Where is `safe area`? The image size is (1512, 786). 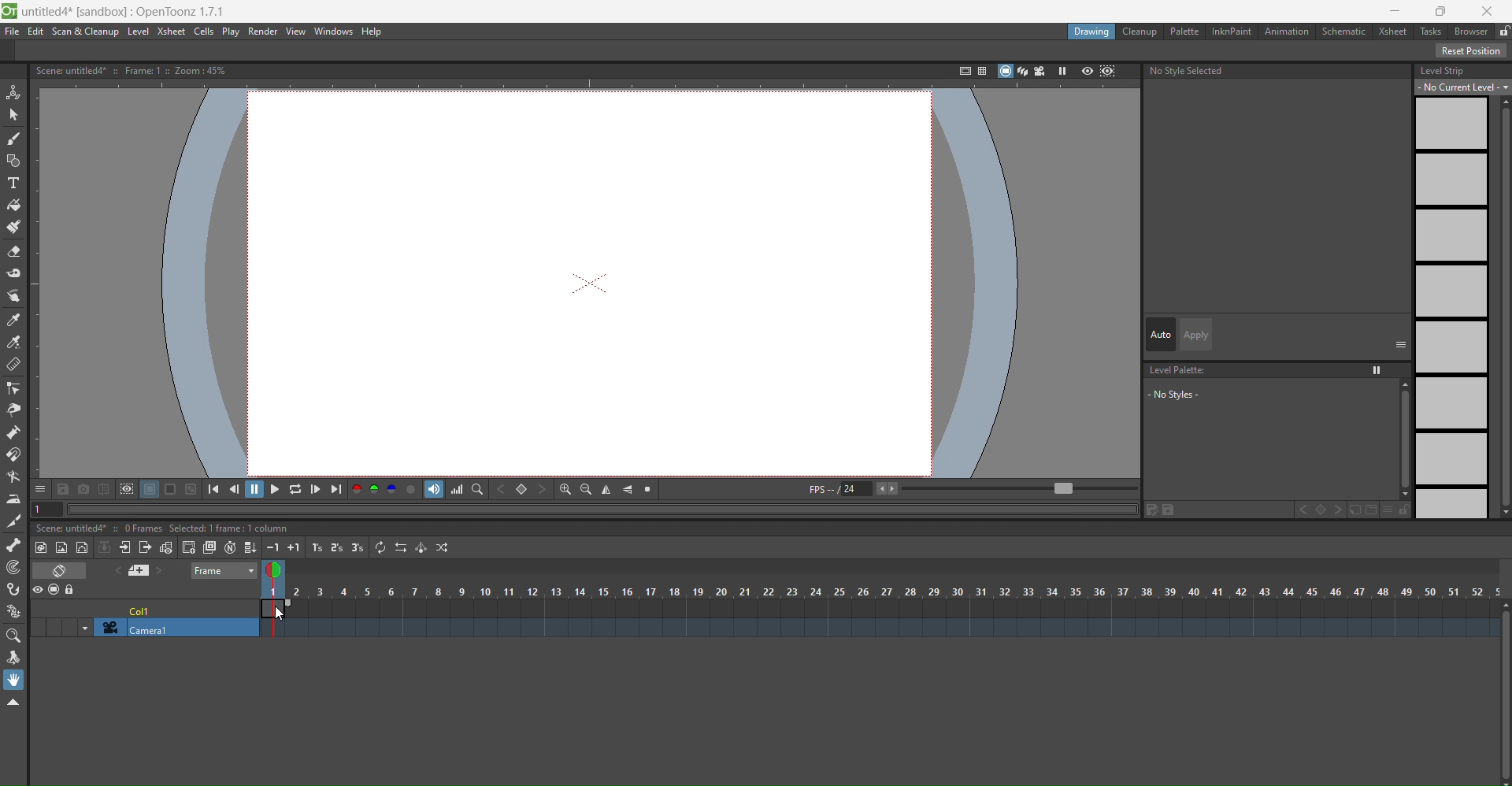 safe area is located at coordinates (961, 71).